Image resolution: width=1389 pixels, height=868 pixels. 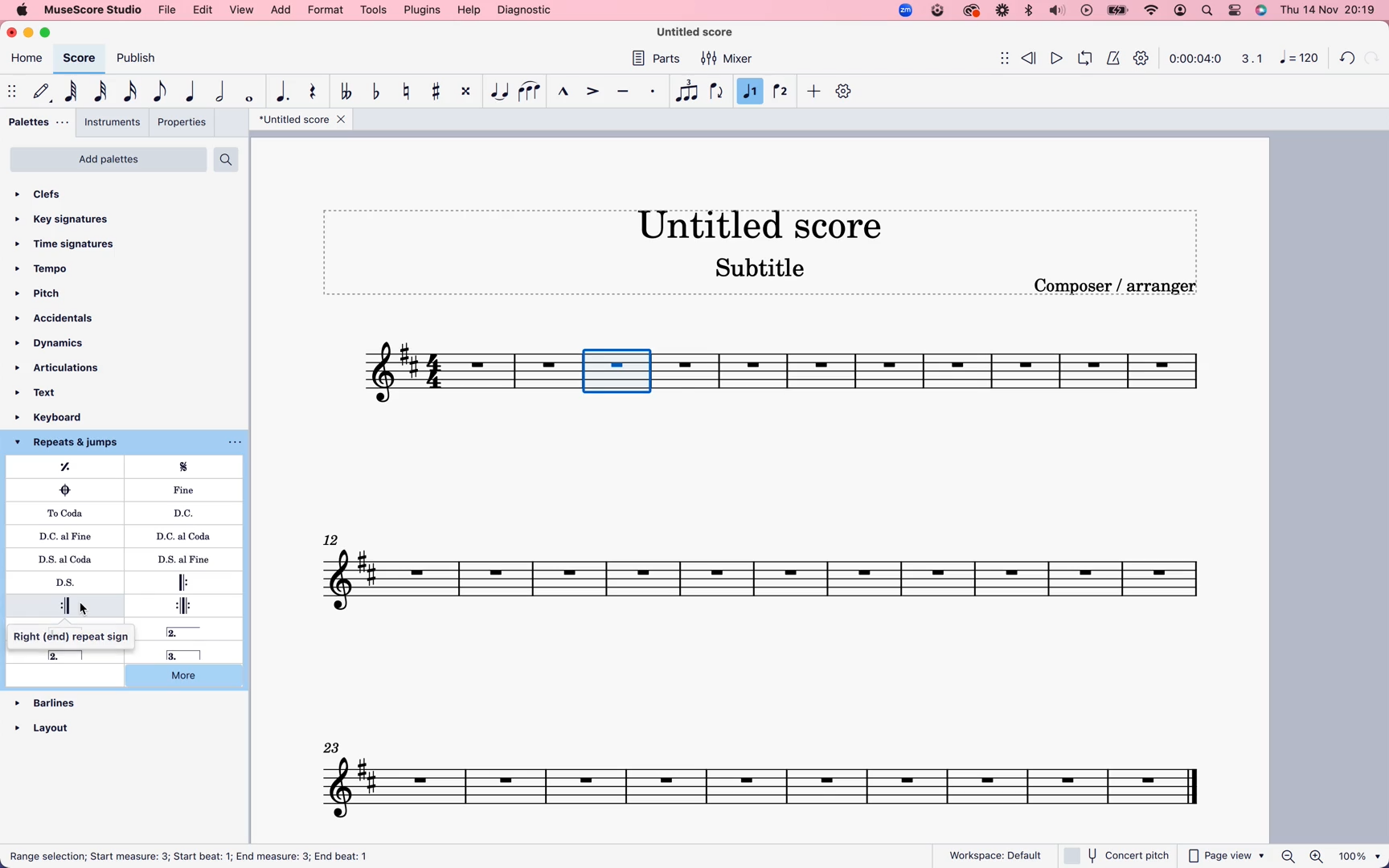 I want to click on score, so click(x=768, y=570).